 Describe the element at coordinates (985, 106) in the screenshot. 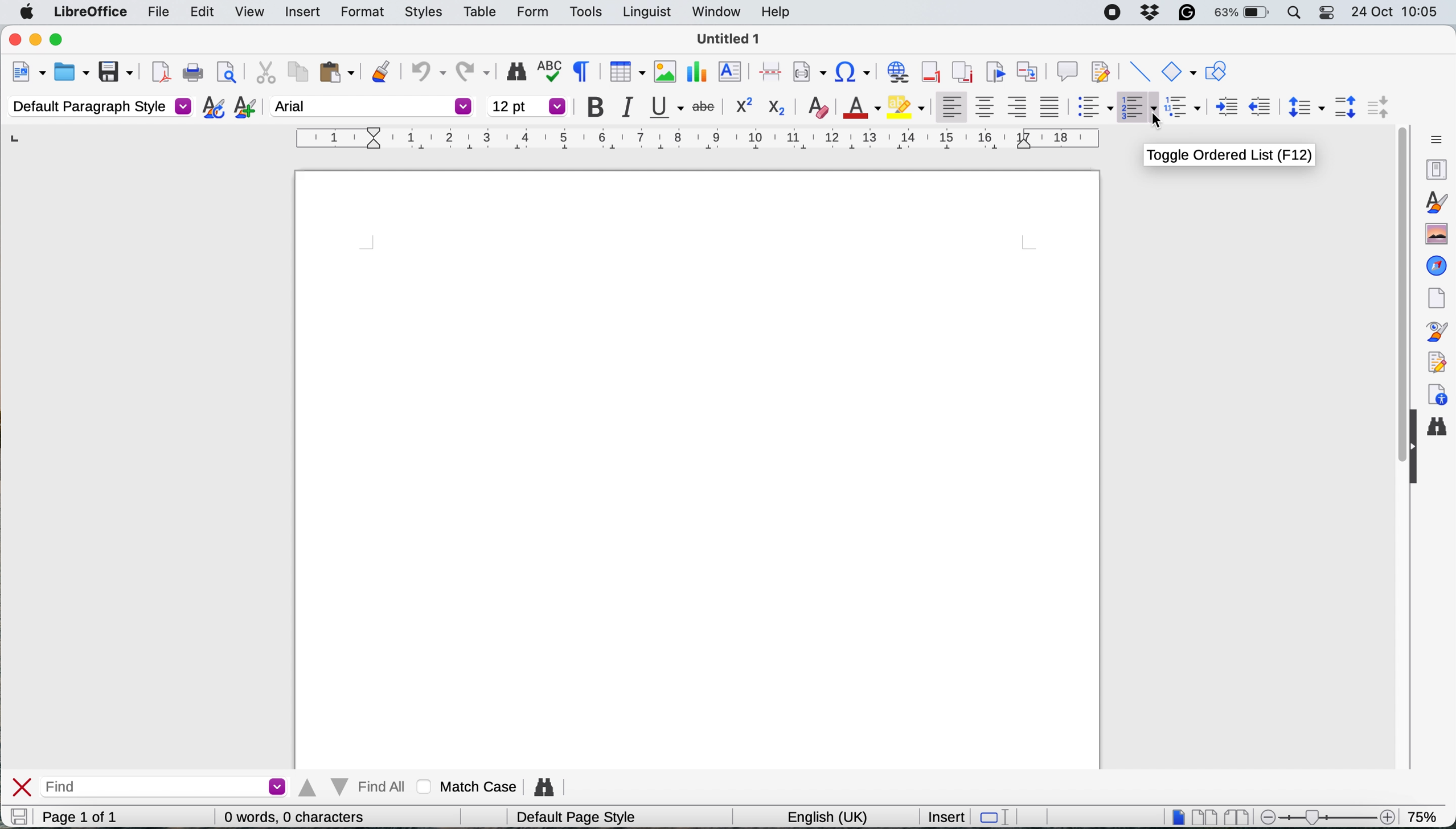

I see `center vertically` at that location.